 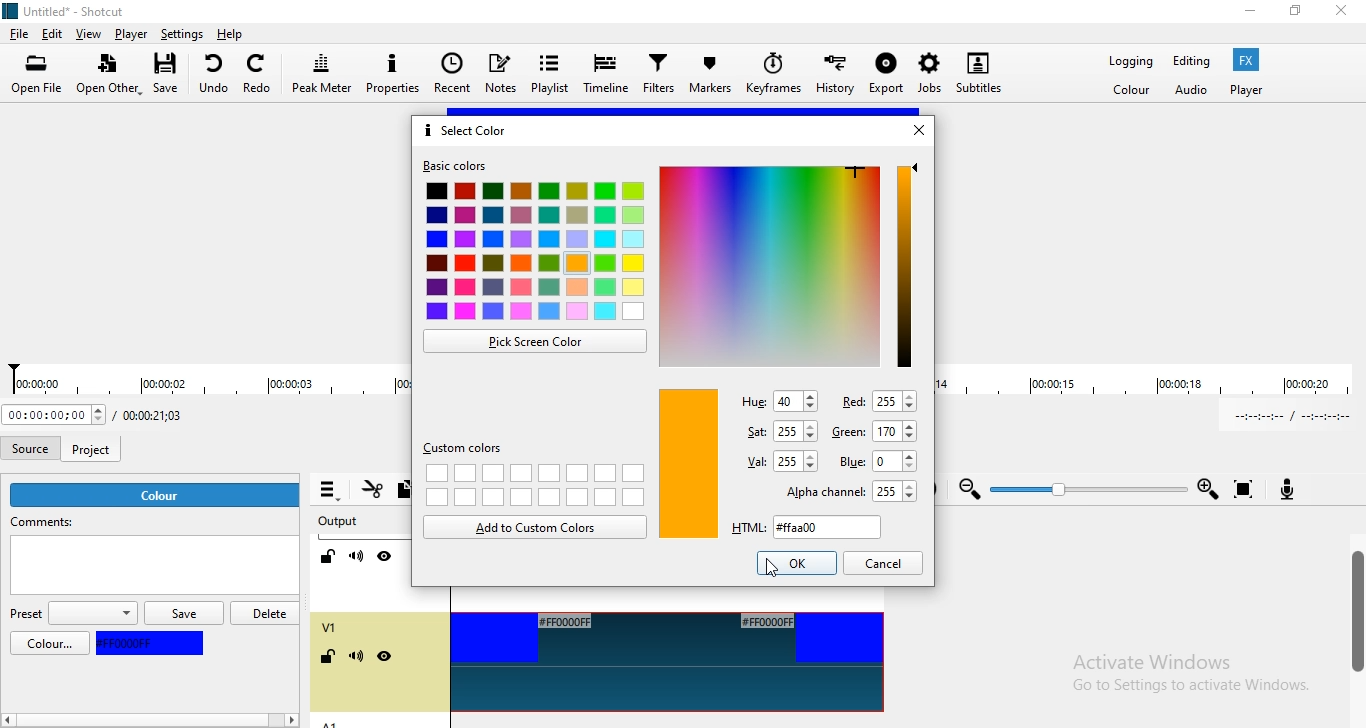 I want to click on Fx, so click(x=1245, y=60).